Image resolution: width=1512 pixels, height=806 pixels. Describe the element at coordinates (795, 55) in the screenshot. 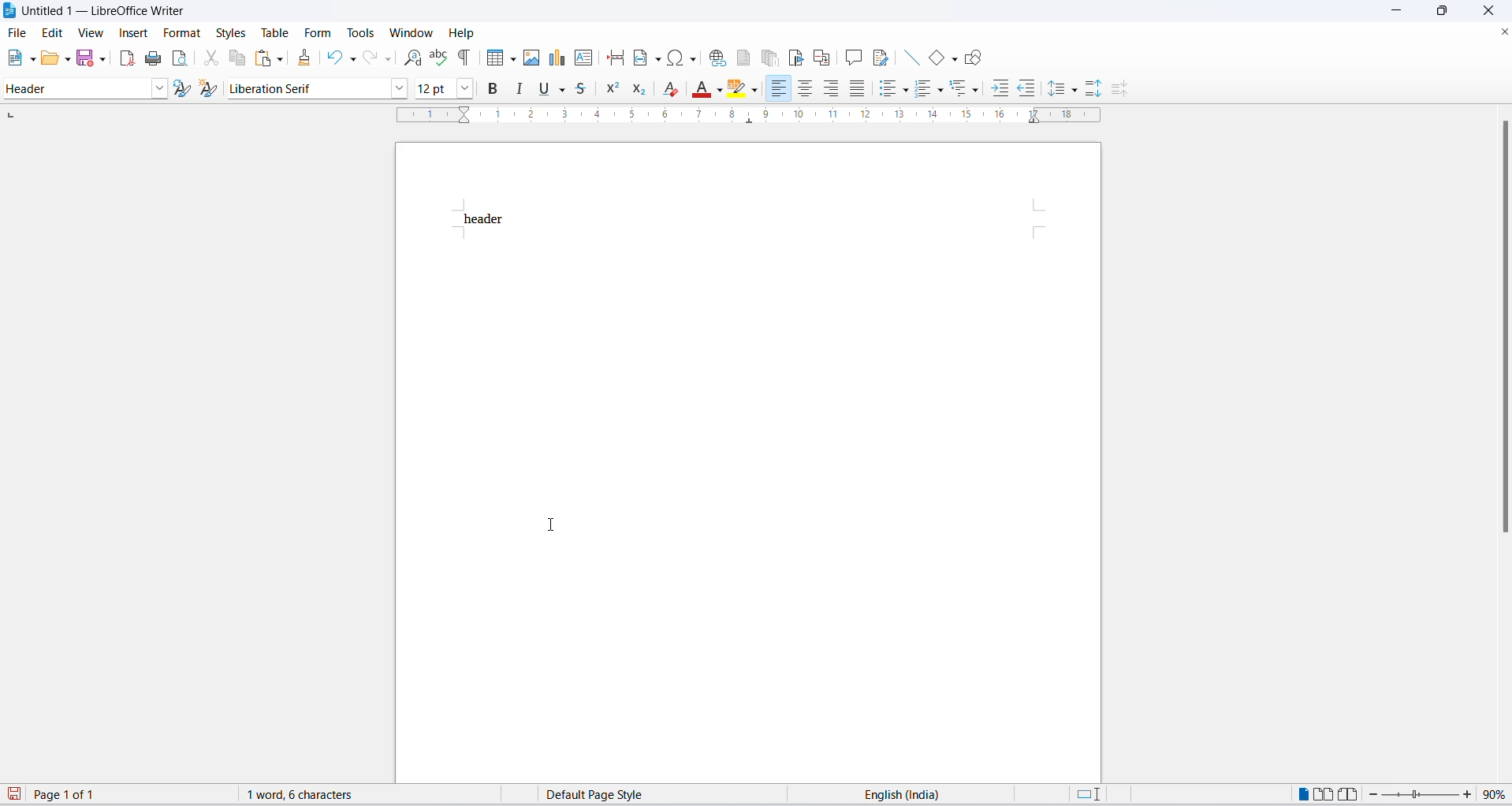

I see `insert bookmark` at that location.